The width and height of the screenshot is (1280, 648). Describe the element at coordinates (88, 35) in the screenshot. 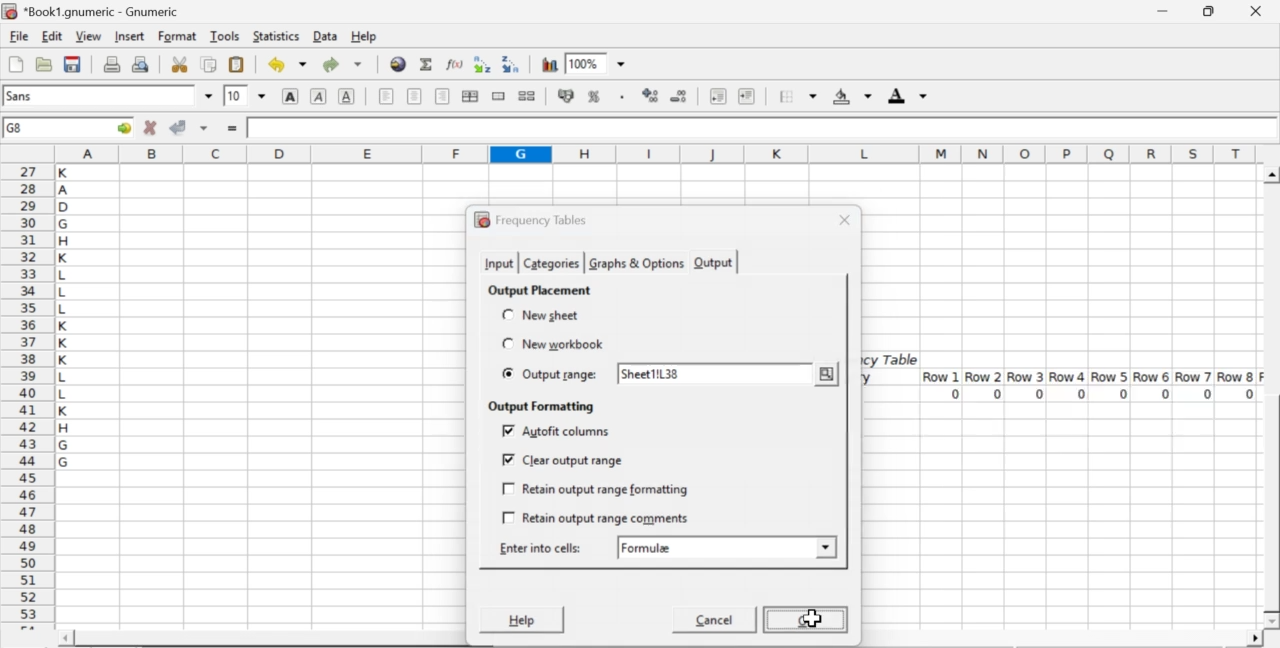

I see `view` at that location.